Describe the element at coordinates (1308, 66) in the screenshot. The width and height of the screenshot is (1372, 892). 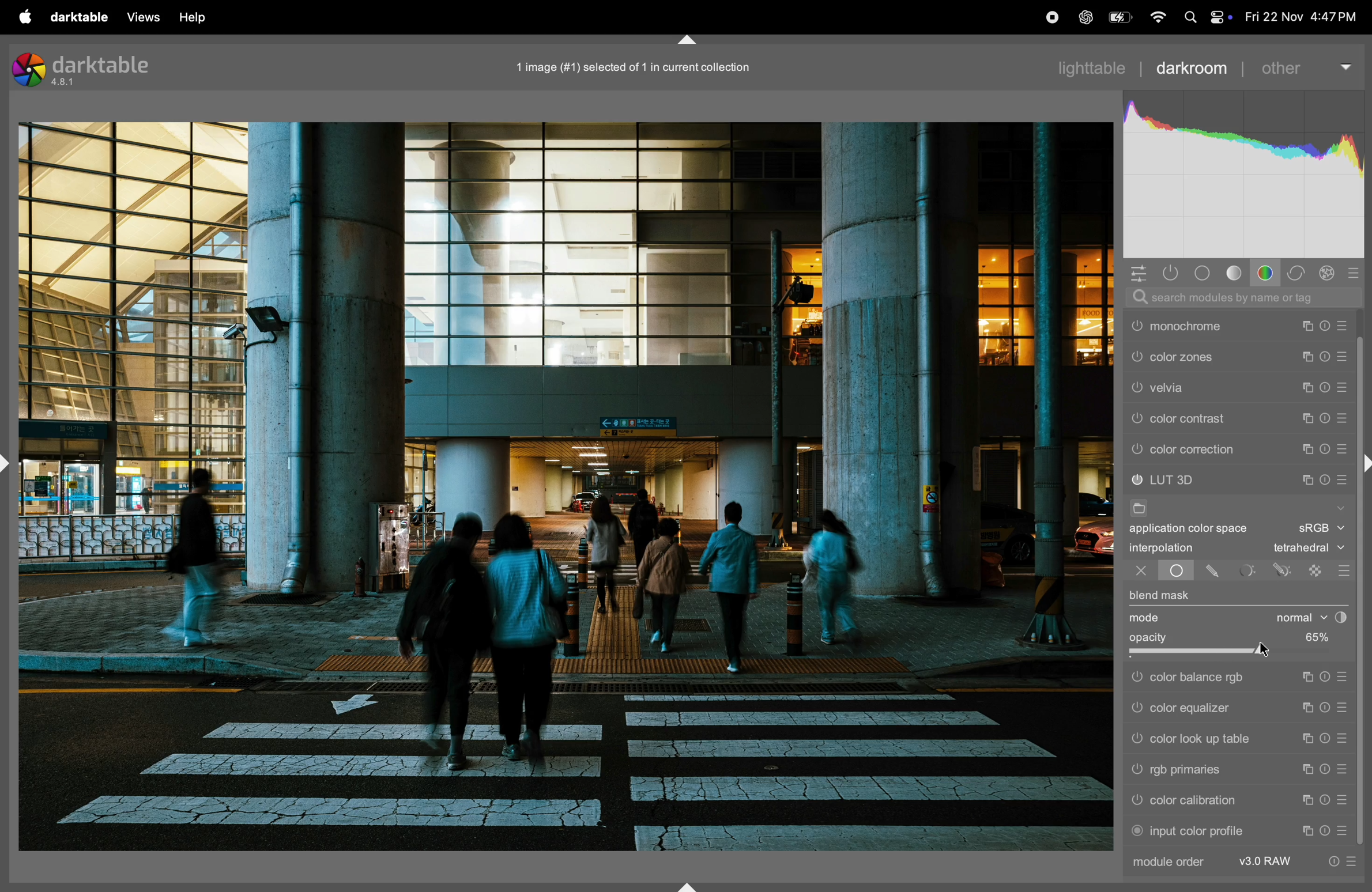
I see `others` at that location.